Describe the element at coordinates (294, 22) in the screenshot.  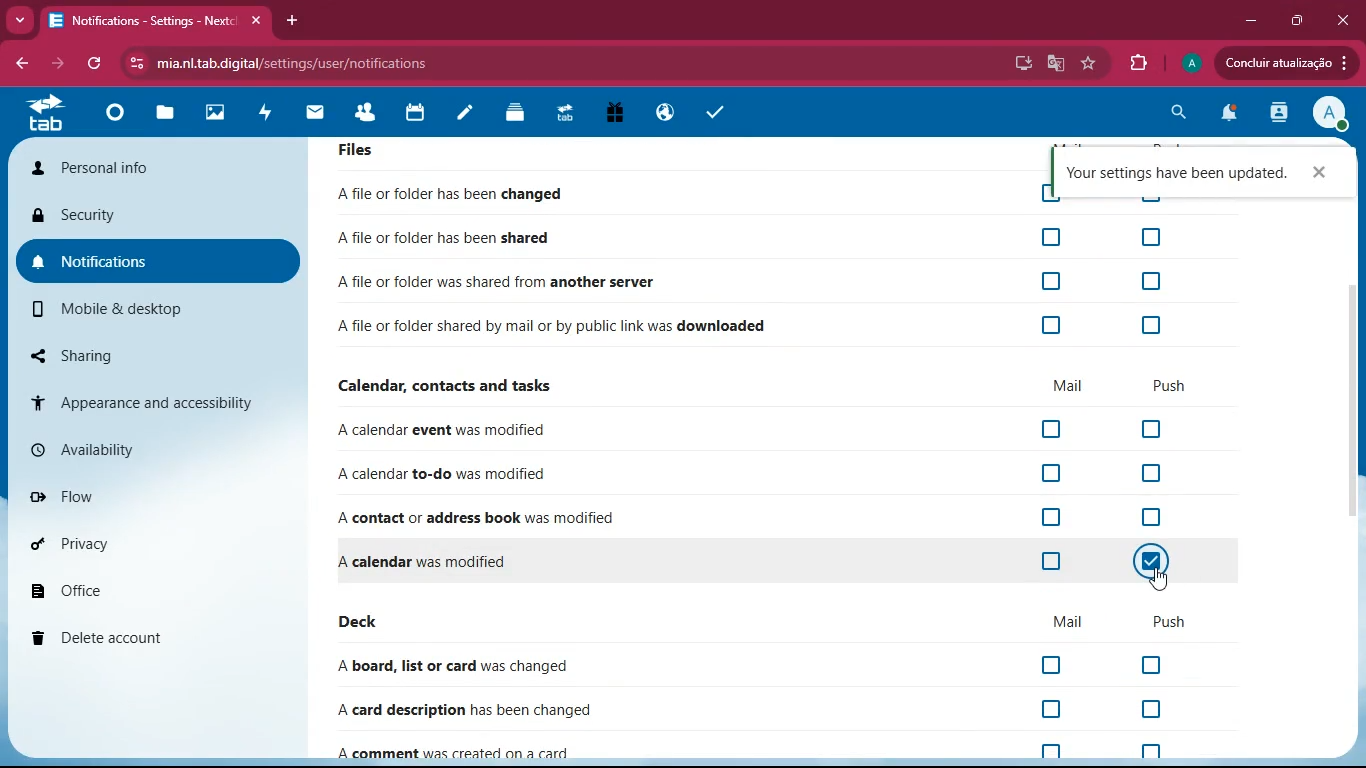
I see `add tab` at that location.